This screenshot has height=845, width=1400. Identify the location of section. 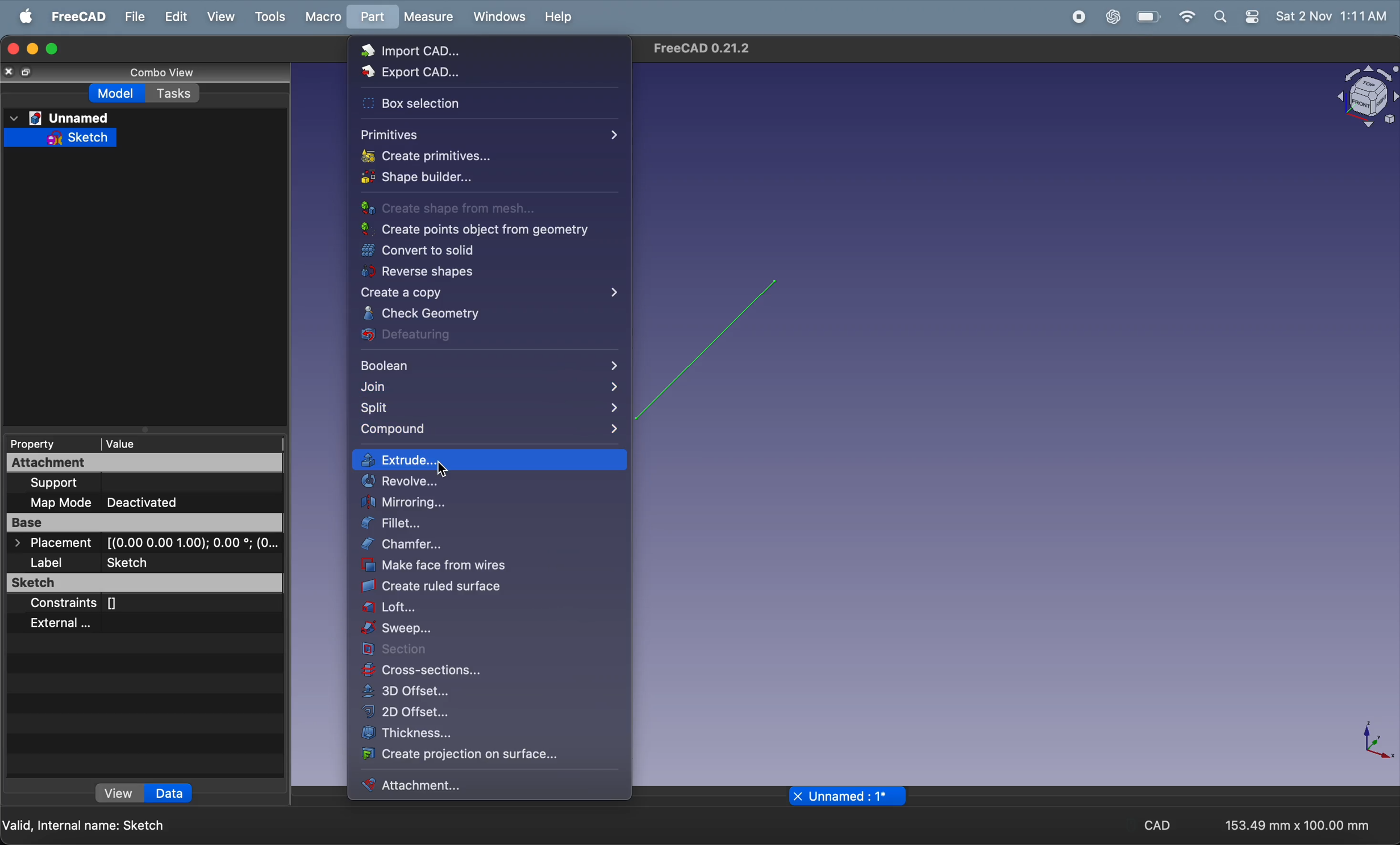
(489, 650).